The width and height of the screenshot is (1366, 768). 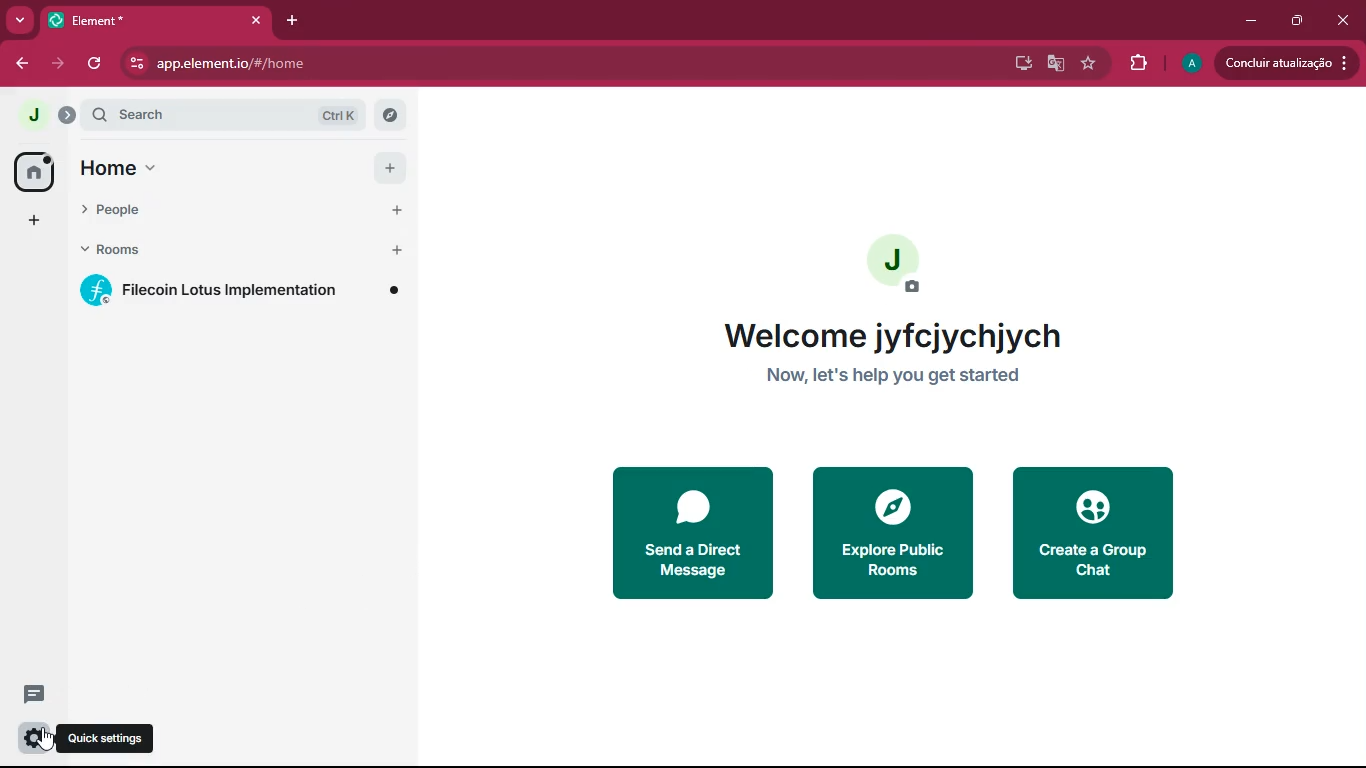 What do you see at coordinates (1139, 64) in the screenshot?
I see `extensions` at bounding box center [1139, 64].